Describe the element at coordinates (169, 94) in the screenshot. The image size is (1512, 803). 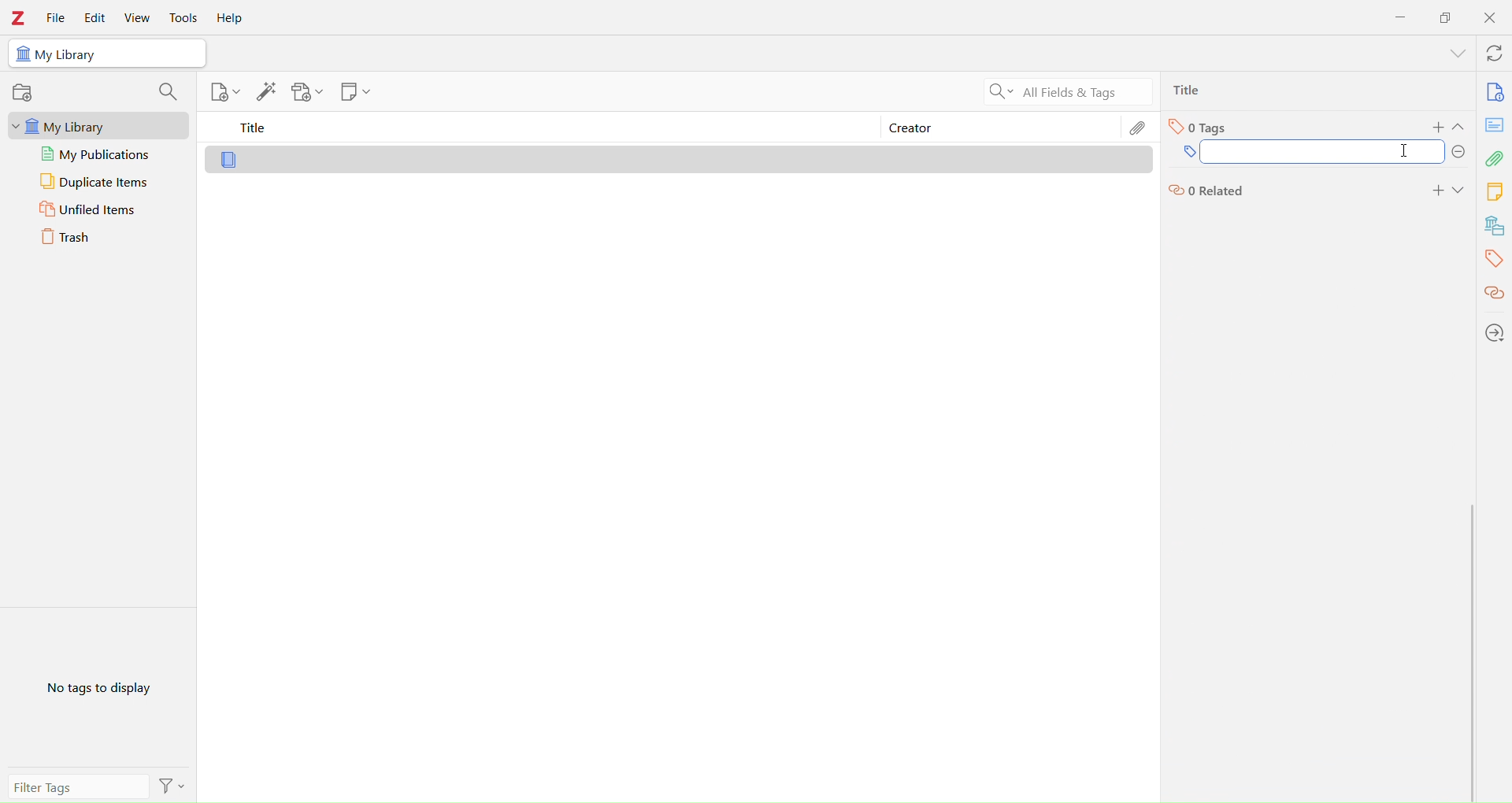
I see `search` at that location.